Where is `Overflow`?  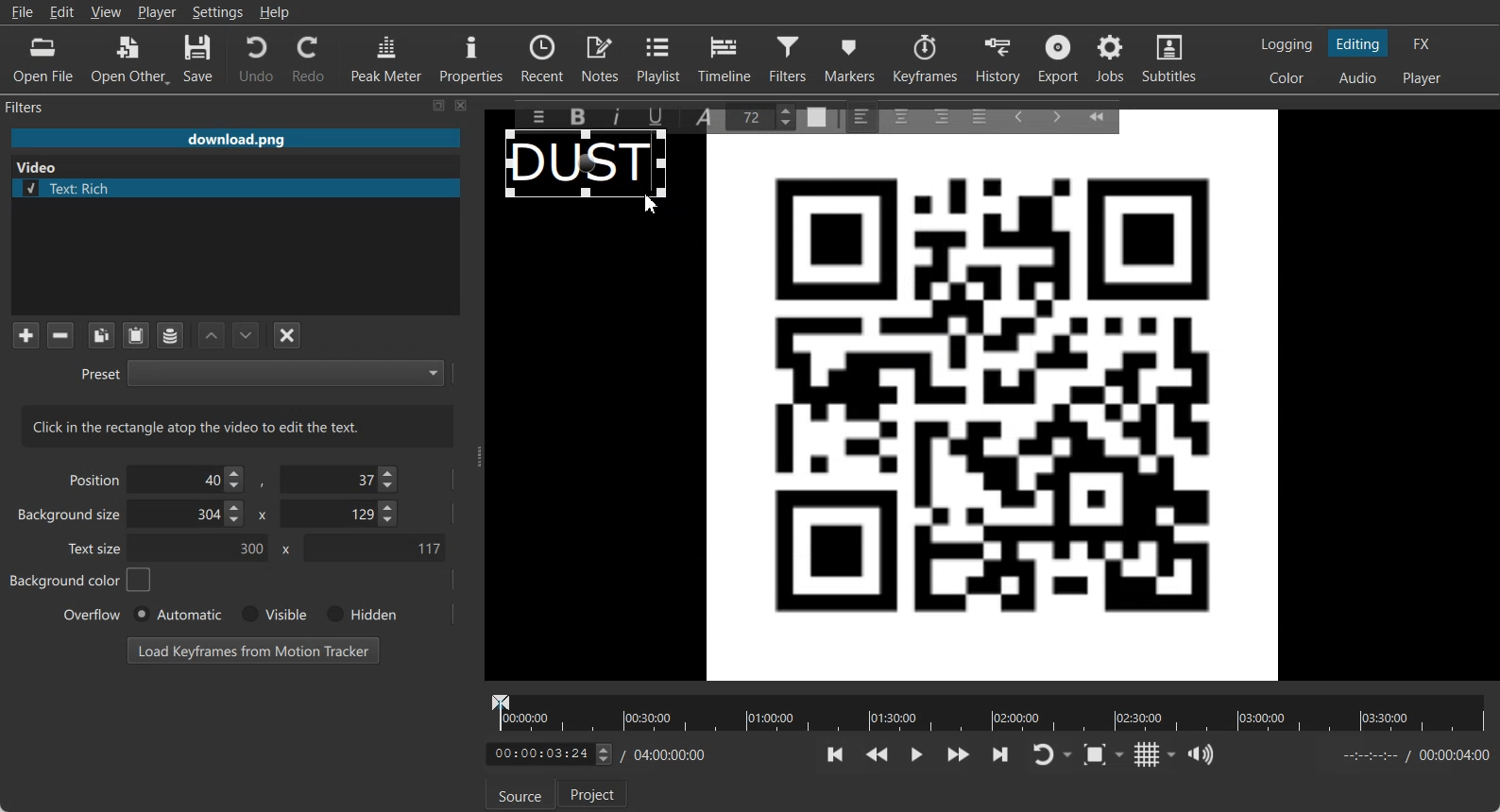 Overflow is located at coordinates (93, 614).